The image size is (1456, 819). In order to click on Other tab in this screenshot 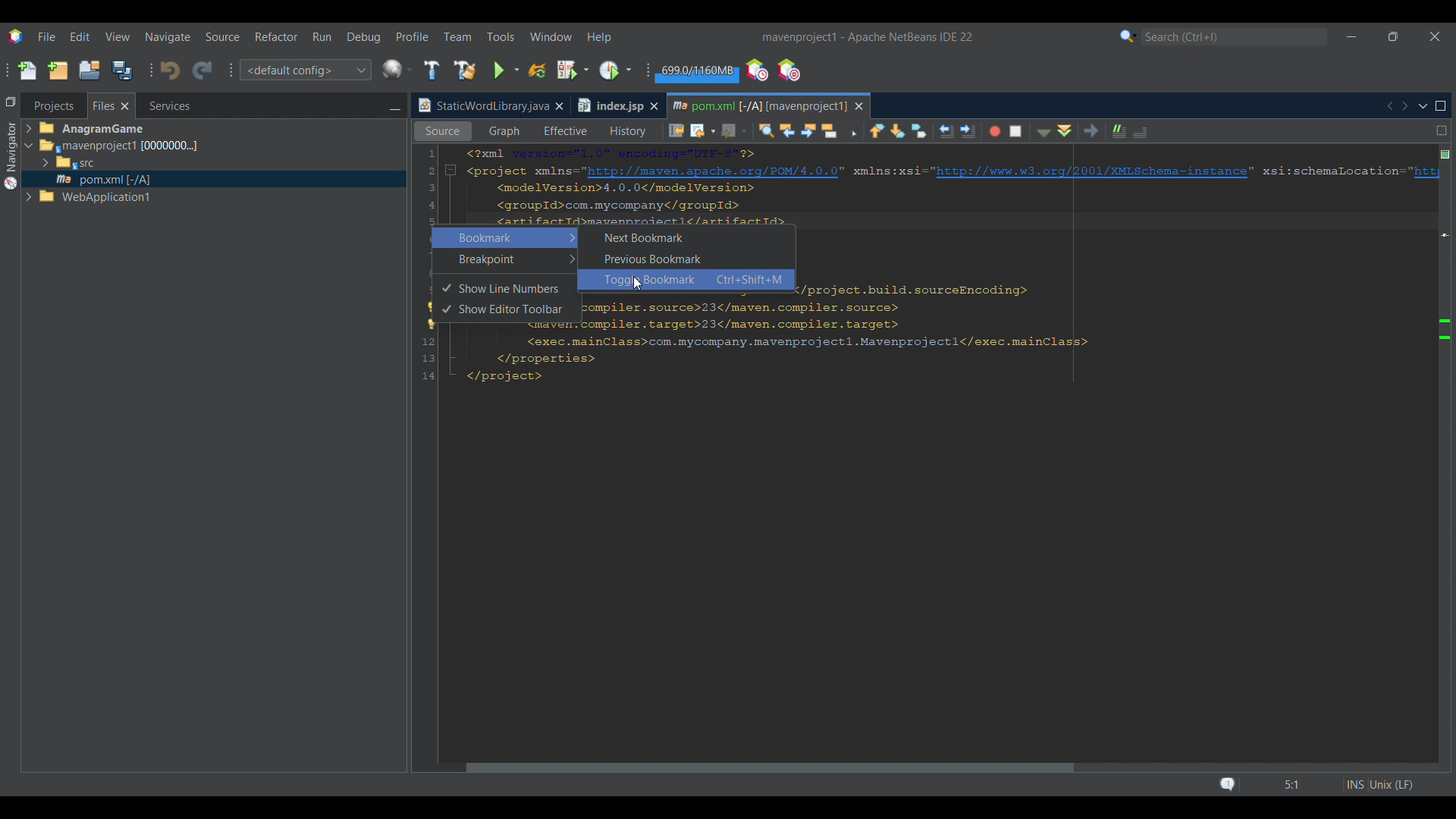, I will do `click(617, 105)`.